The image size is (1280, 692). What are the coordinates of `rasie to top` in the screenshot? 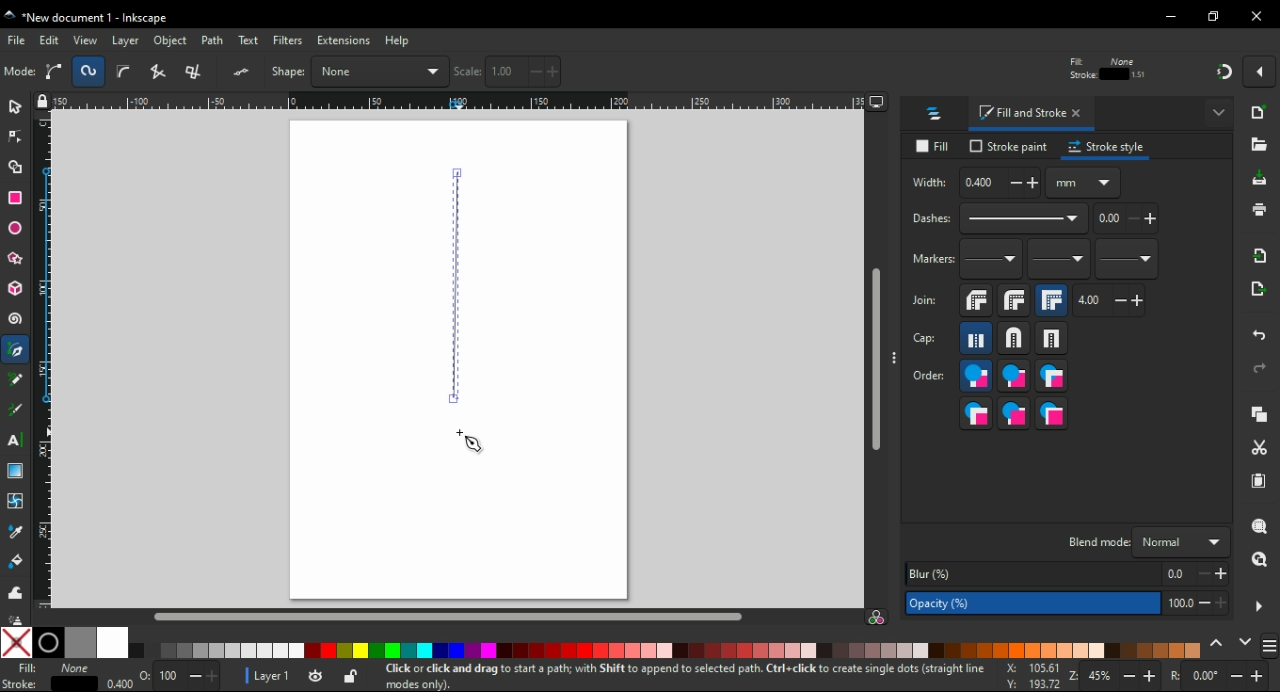 It's located at (328, 71).